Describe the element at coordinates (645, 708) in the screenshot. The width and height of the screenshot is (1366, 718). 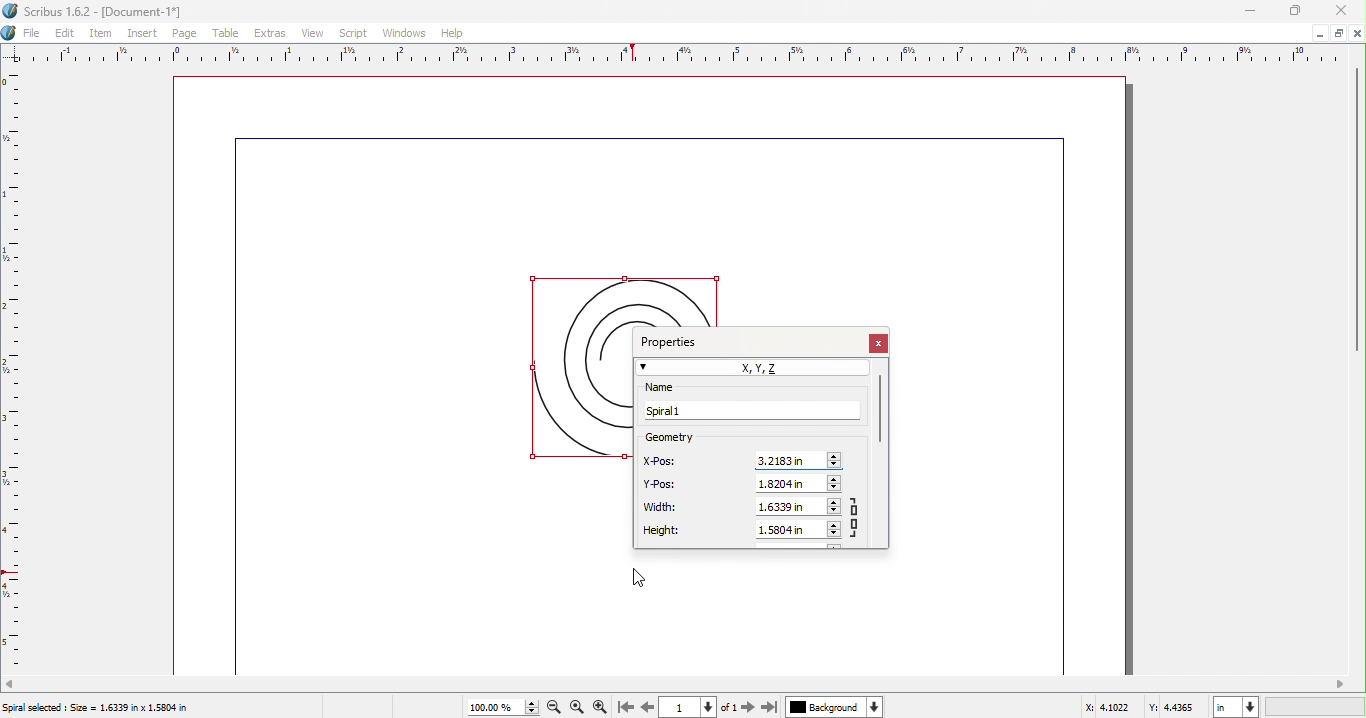
I see `Go to the previous page` at that location.